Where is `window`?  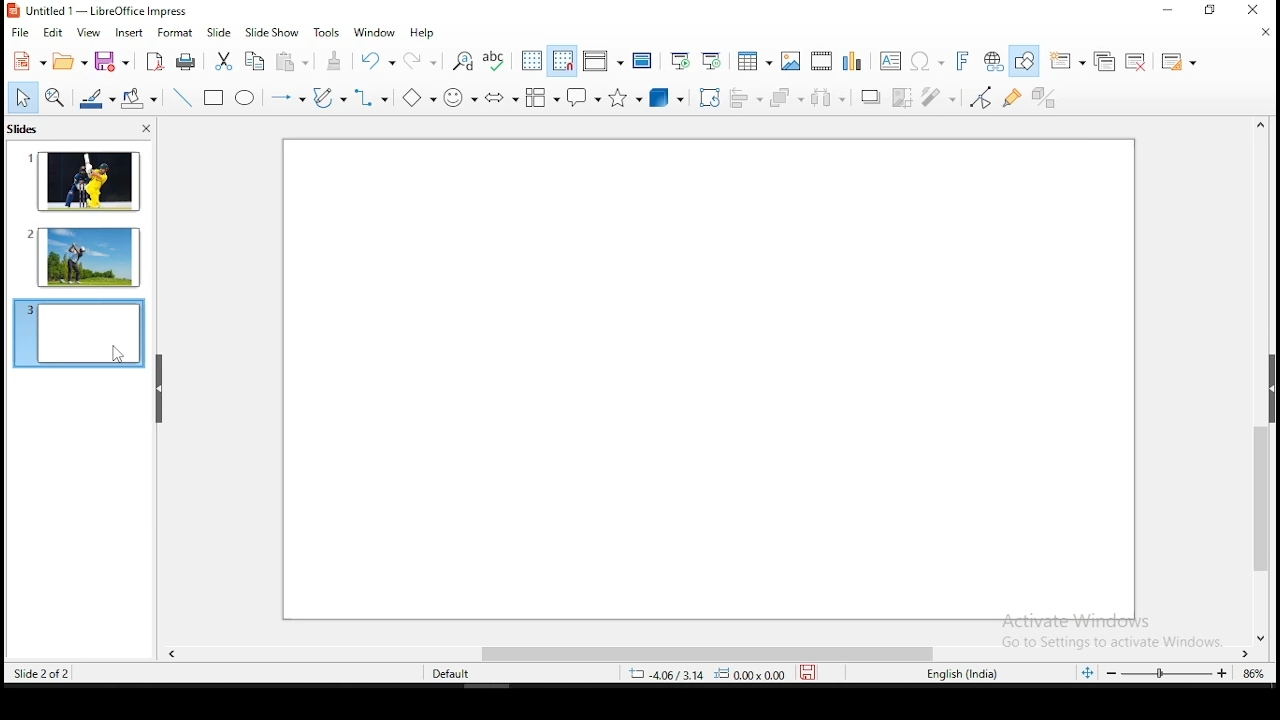
window is located at coordinates (374, 33).